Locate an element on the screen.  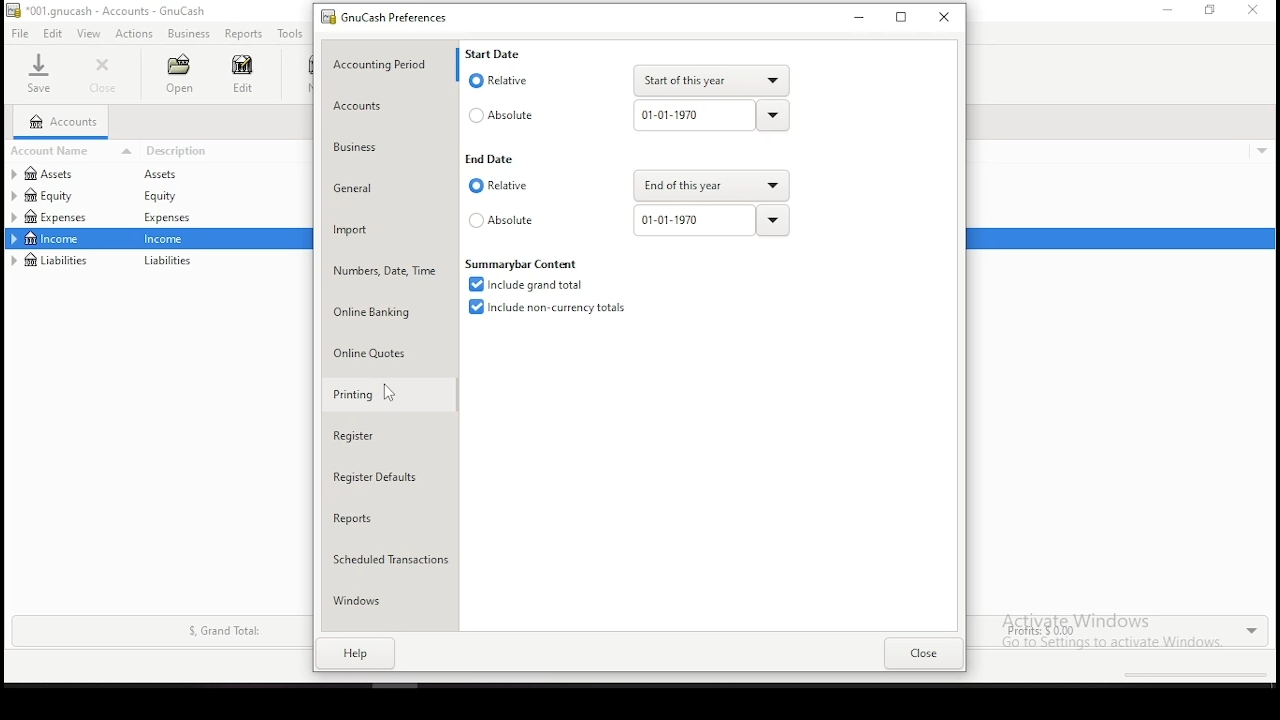
online banking is located at coordinates (386, 314).